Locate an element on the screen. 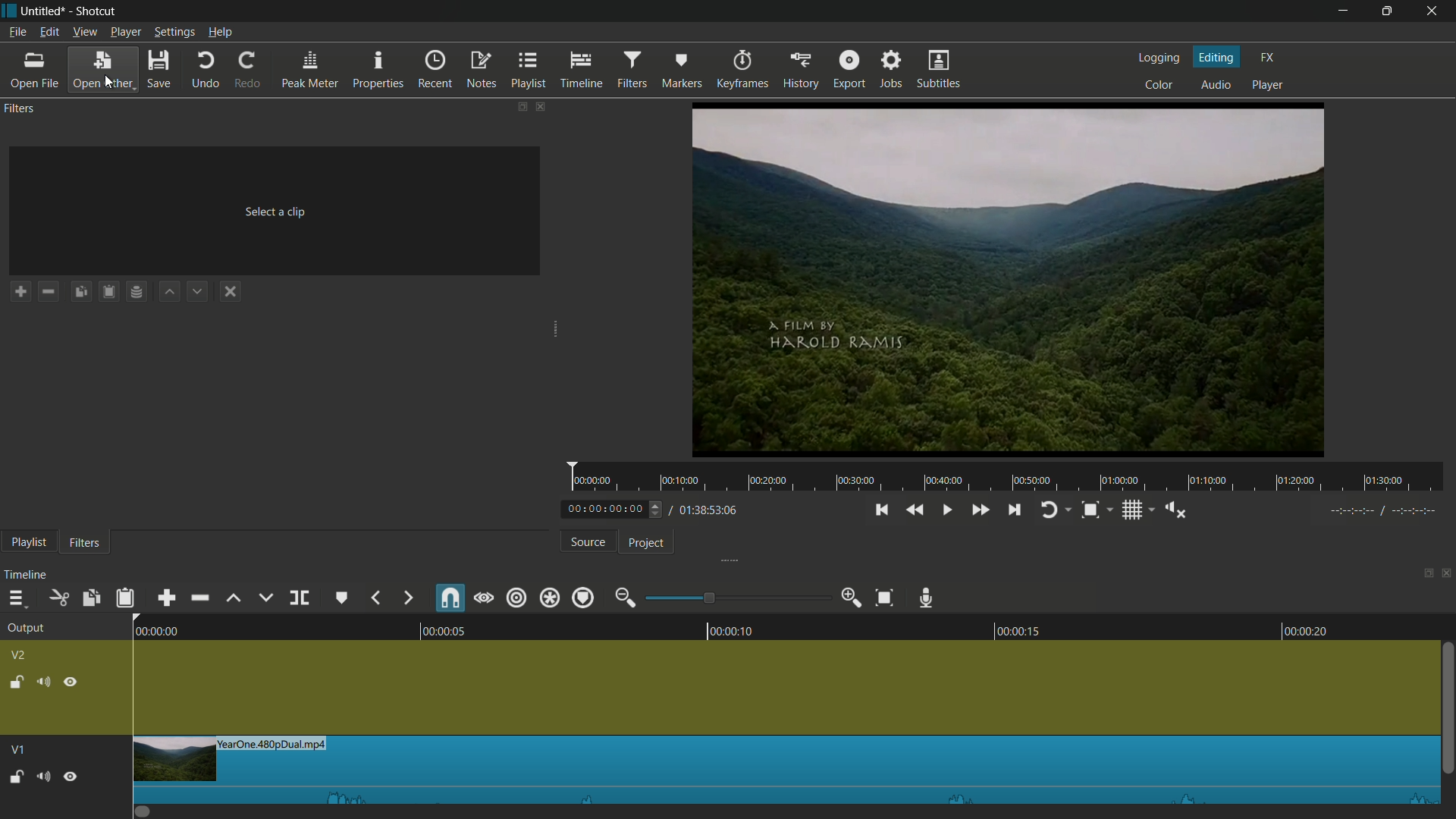 This screenshot has height=819, width=1456. cut is located at coordinates (60, 598).